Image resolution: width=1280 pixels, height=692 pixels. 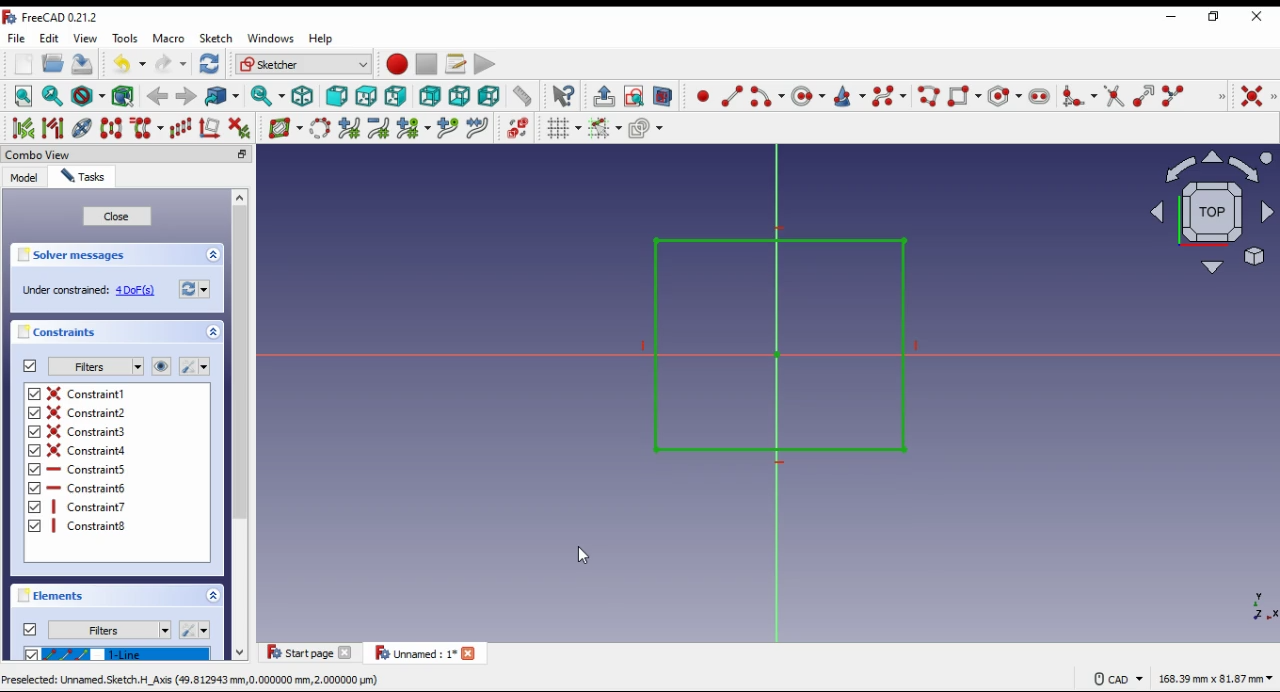 I want to click on minimize, so click(x=1171, y=18).